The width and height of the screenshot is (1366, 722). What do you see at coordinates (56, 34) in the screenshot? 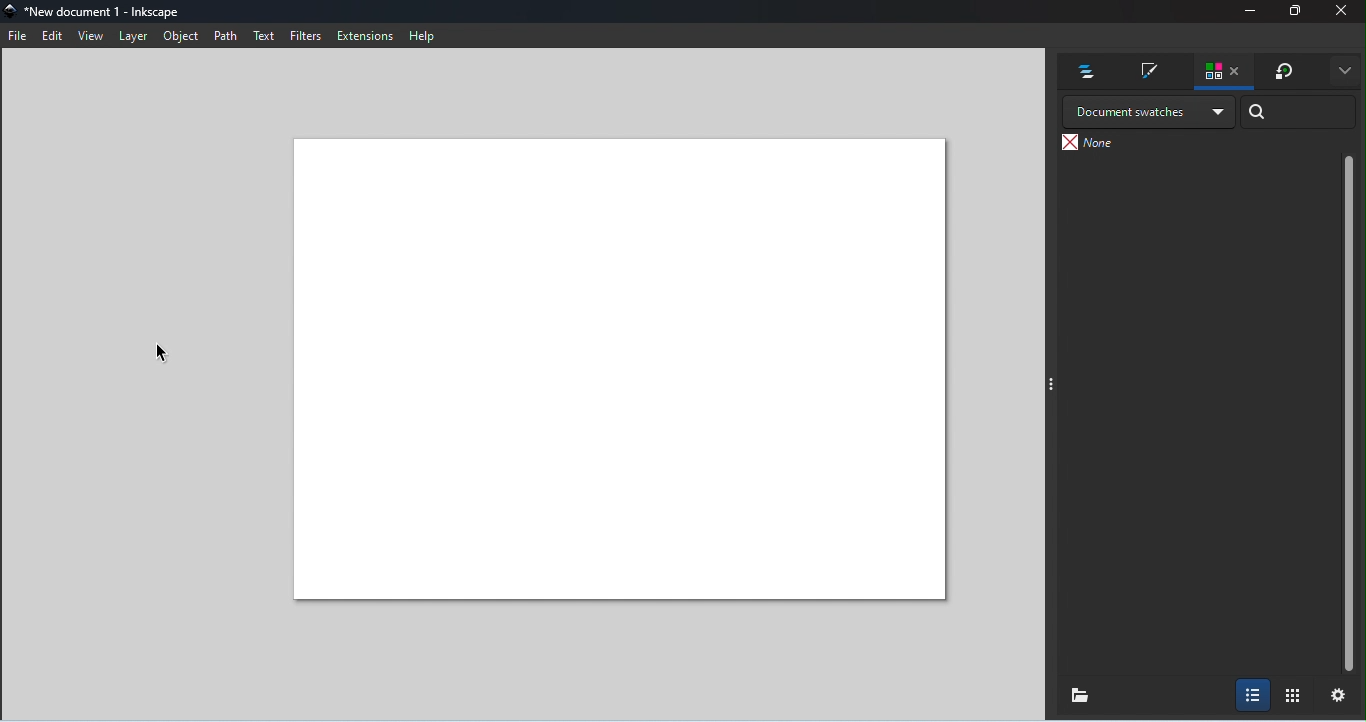
I see `Edit` at bounding box center [56, 34].